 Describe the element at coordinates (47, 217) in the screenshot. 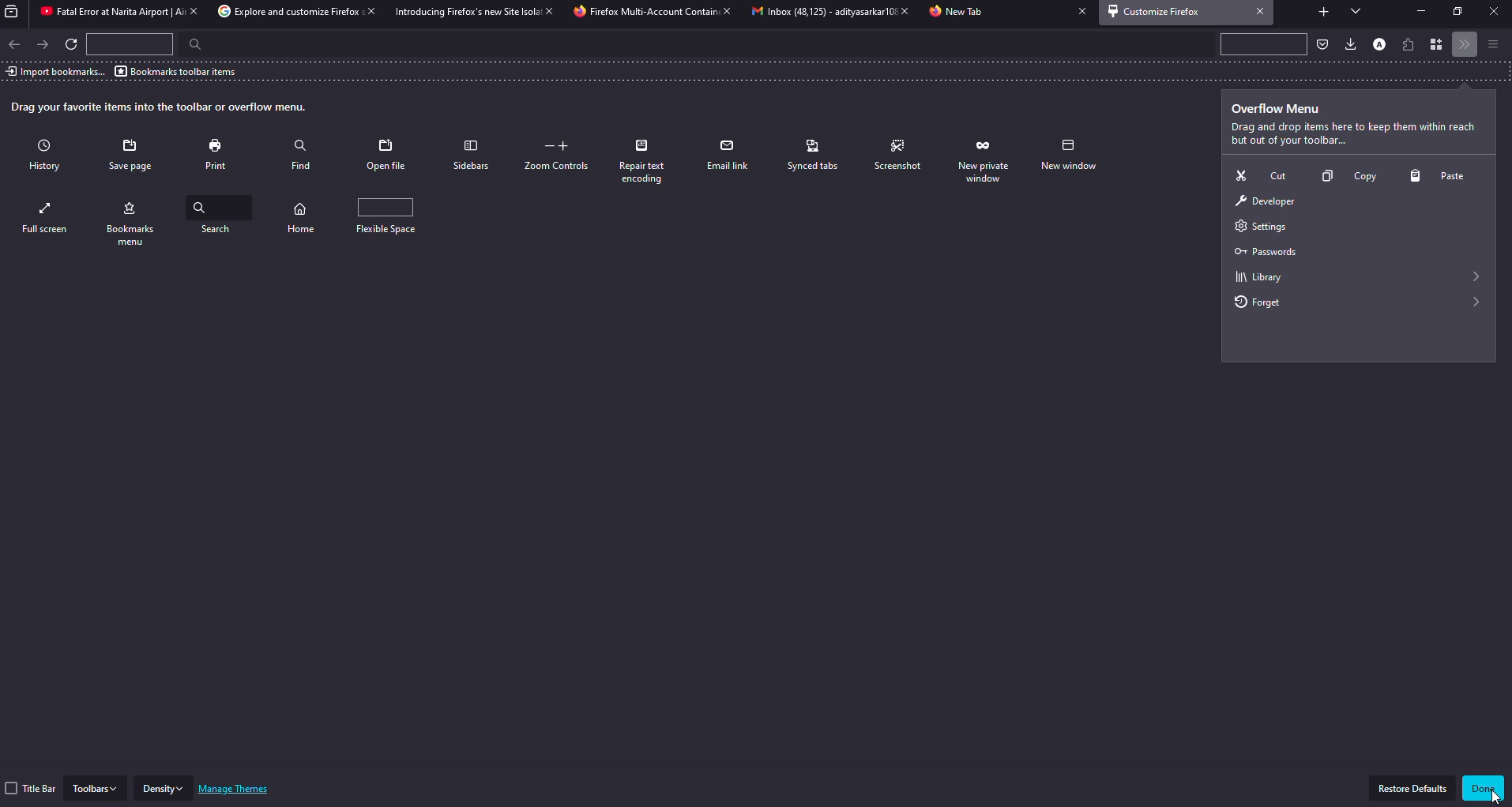

I see `new window` at that location.